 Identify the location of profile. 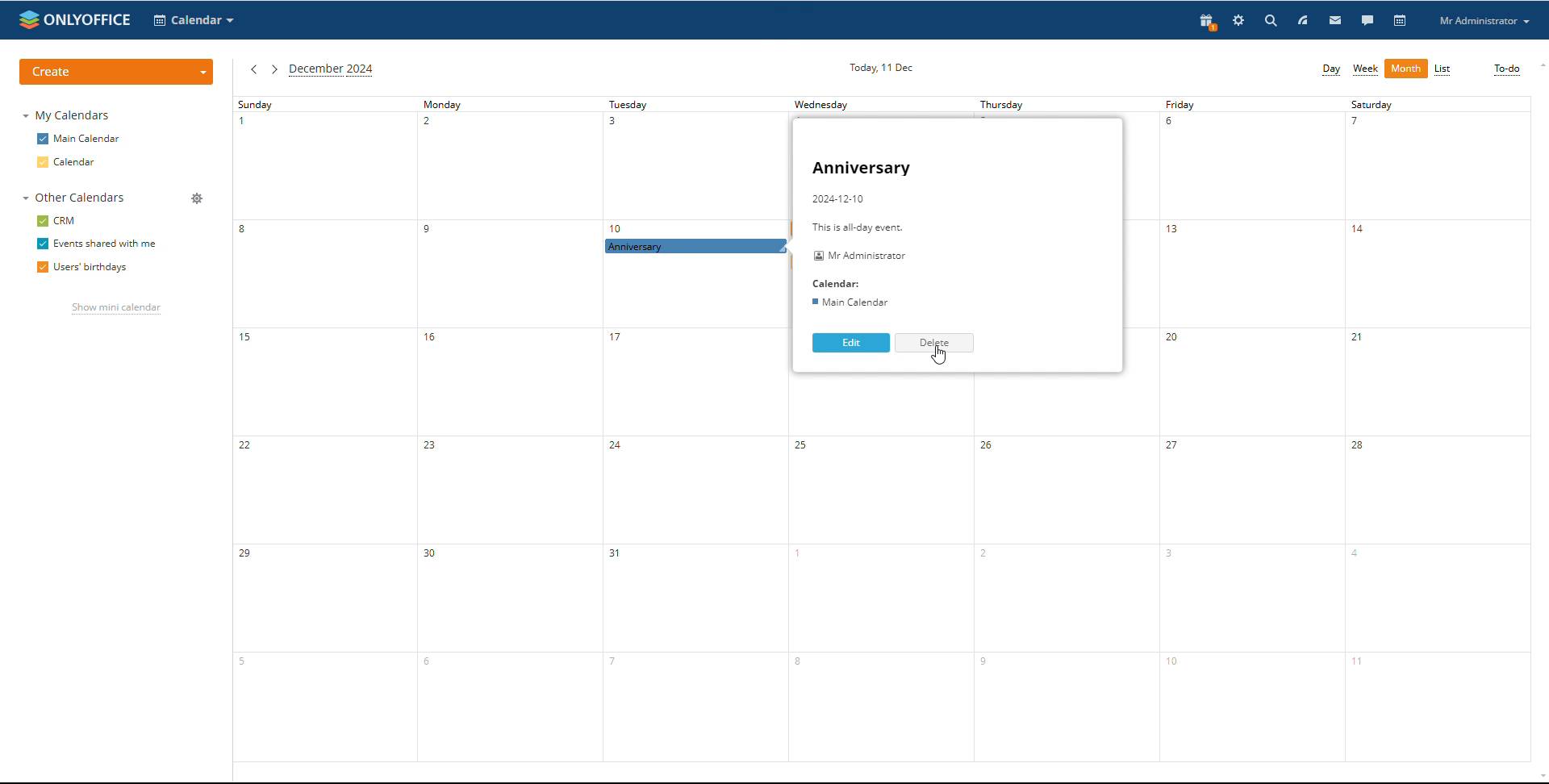
(1483, 21).